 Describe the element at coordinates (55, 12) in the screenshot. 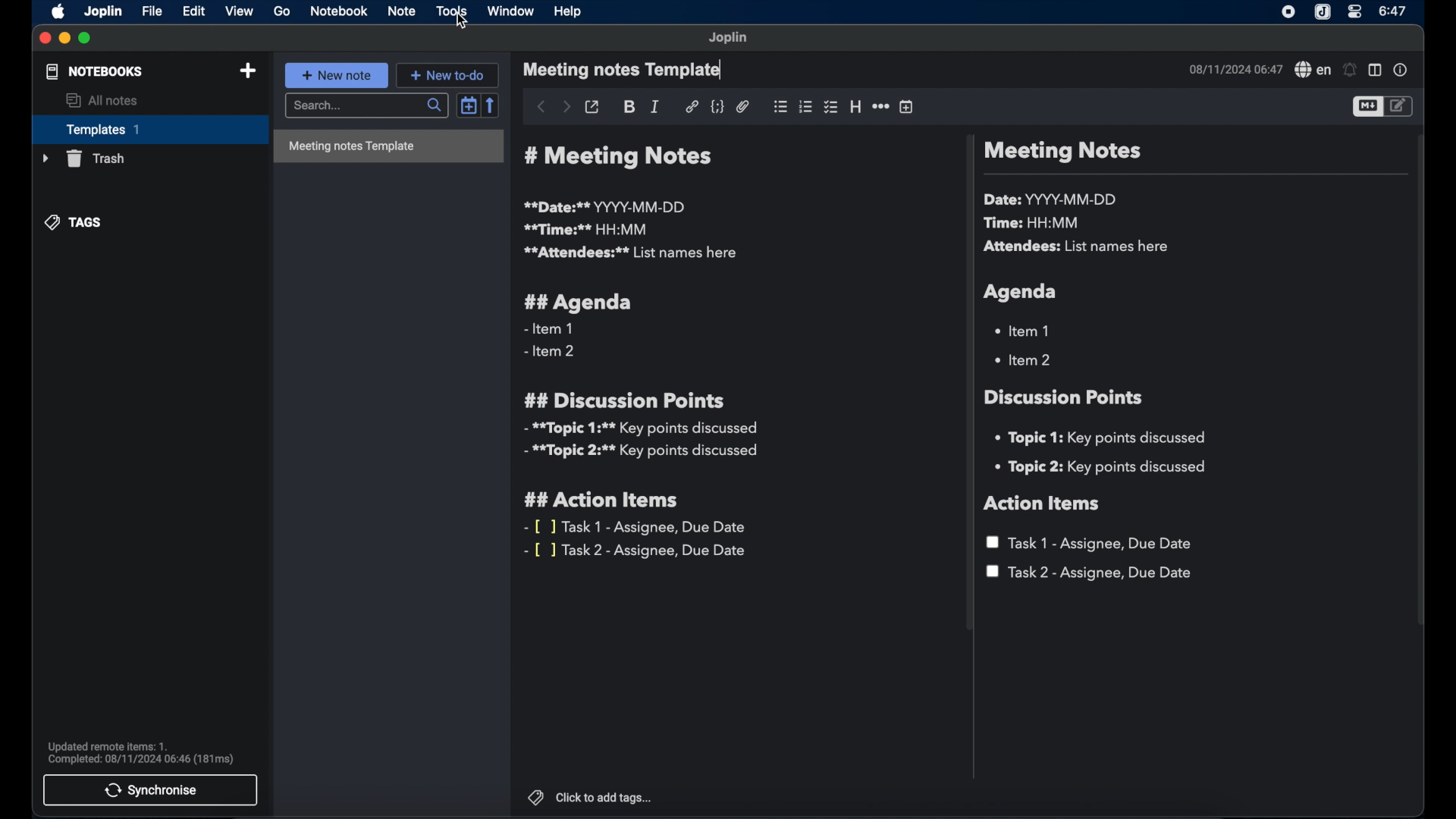

I see `apple icon` at that location.